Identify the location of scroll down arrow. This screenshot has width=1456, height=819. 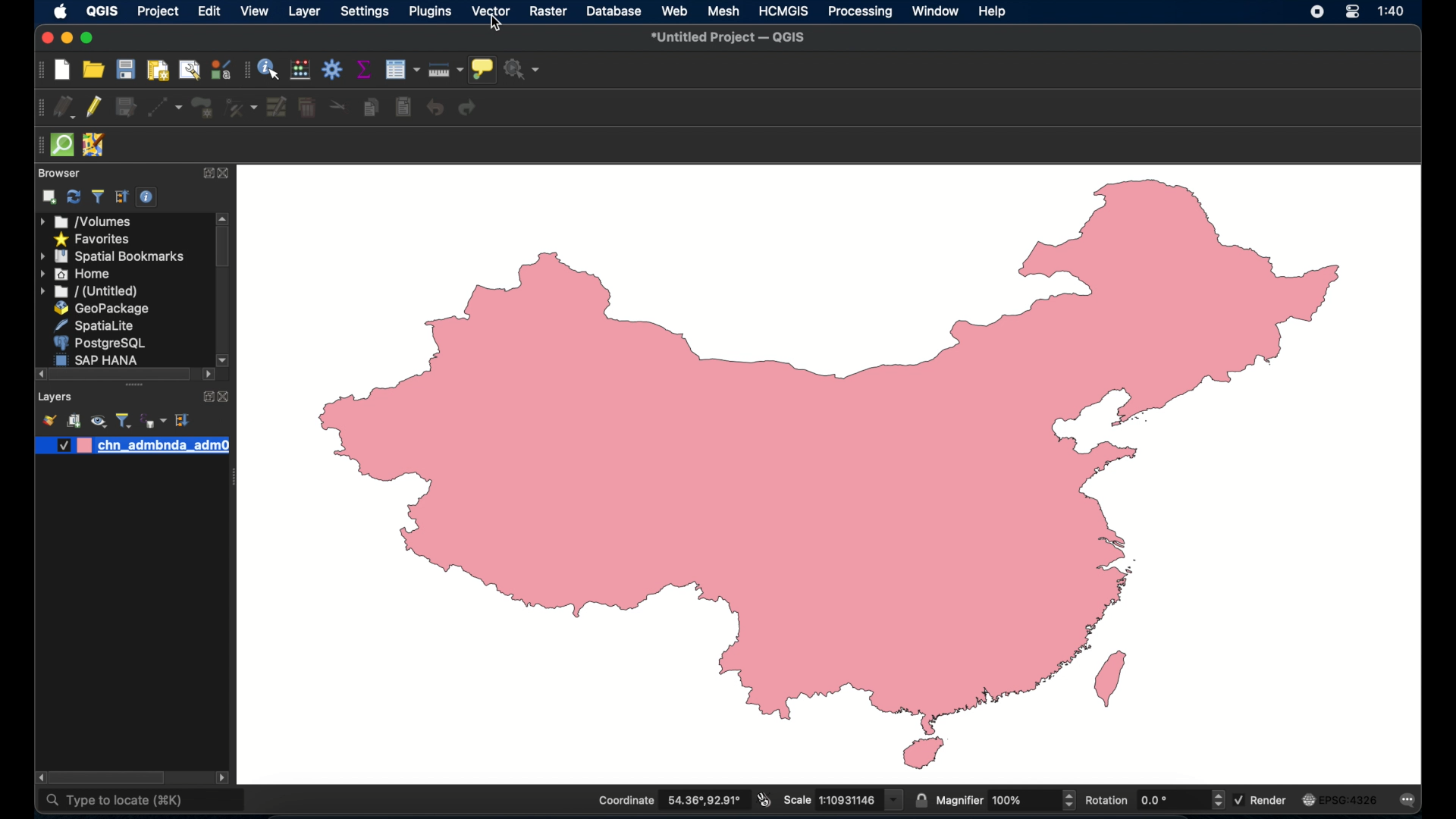
(224, 359).